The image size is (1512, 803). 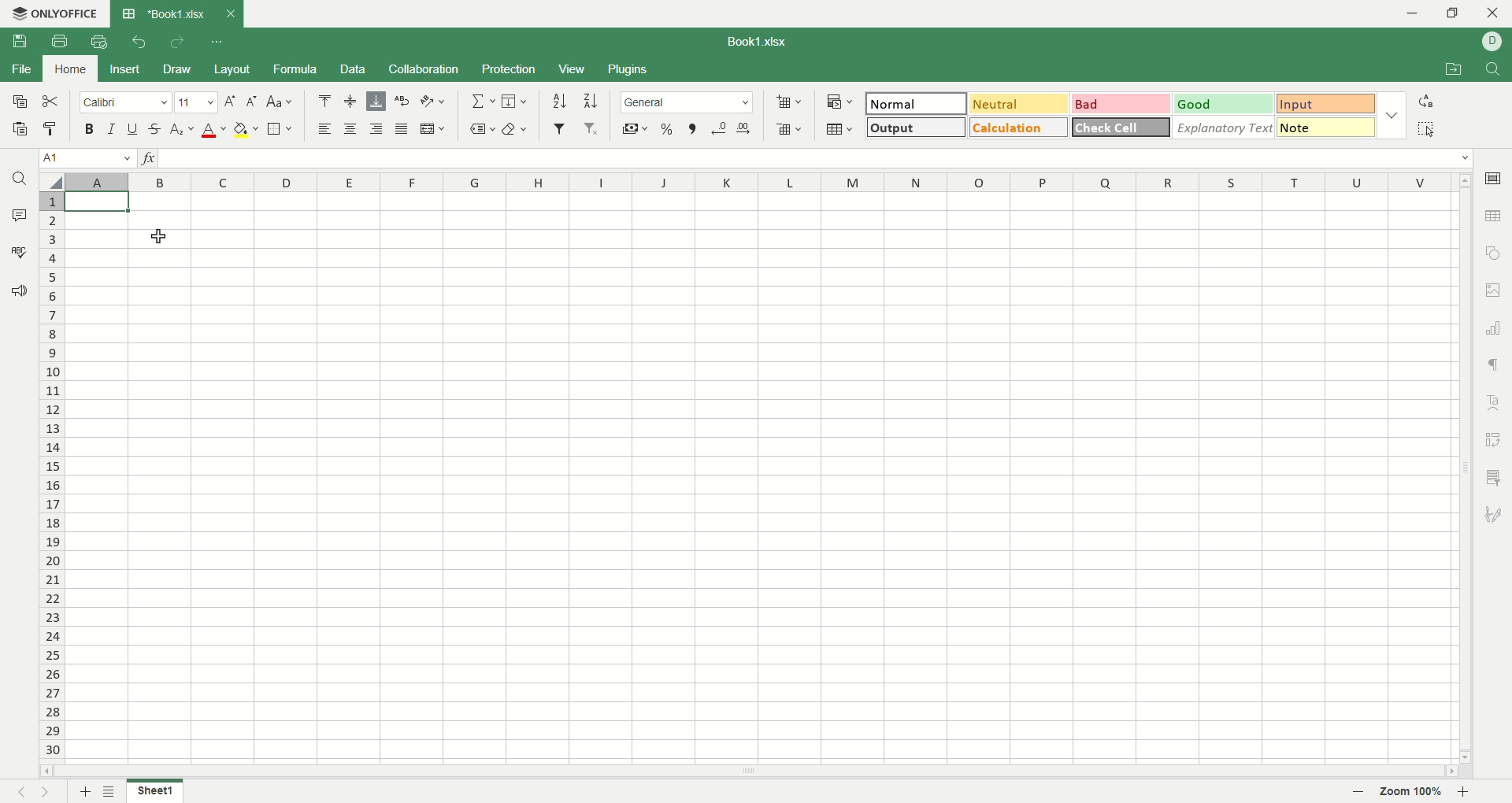 What do you see at coordinates (164, 13) in the screenshot?
I see `Book1.xlsx` at bounding box center [164, 13].